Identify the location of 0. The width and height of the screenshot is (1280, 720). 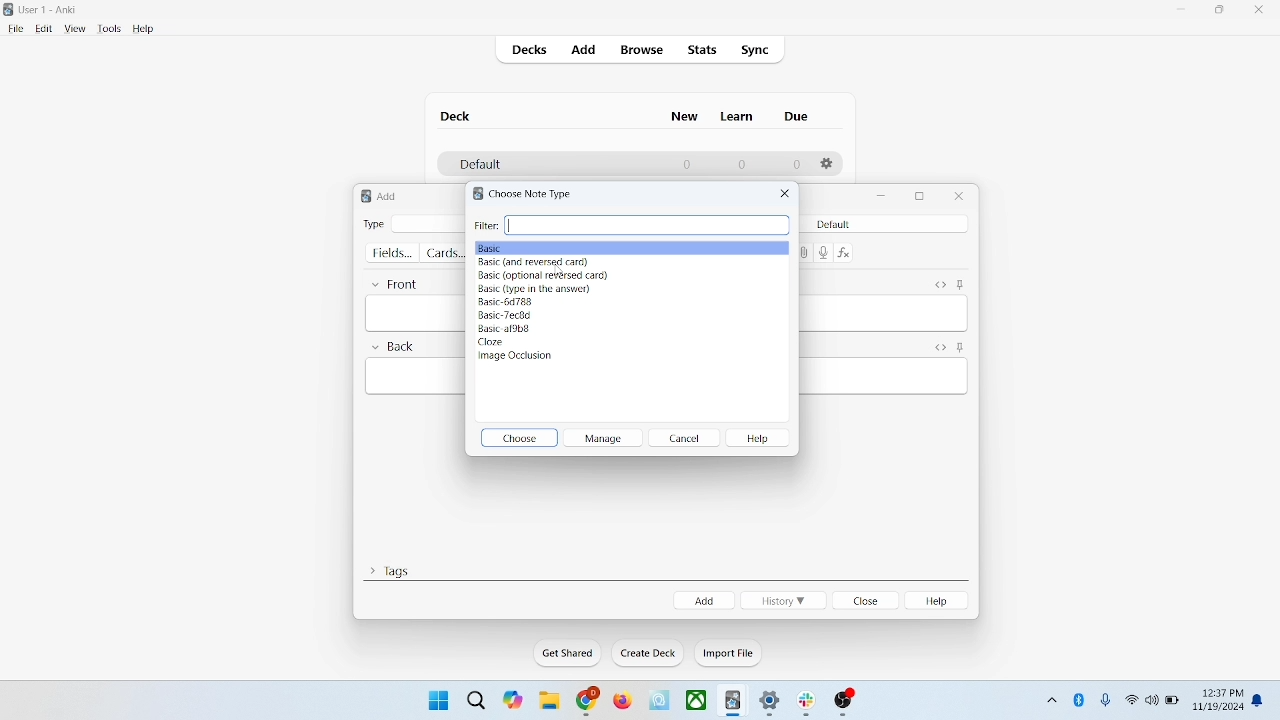
(688, 164).